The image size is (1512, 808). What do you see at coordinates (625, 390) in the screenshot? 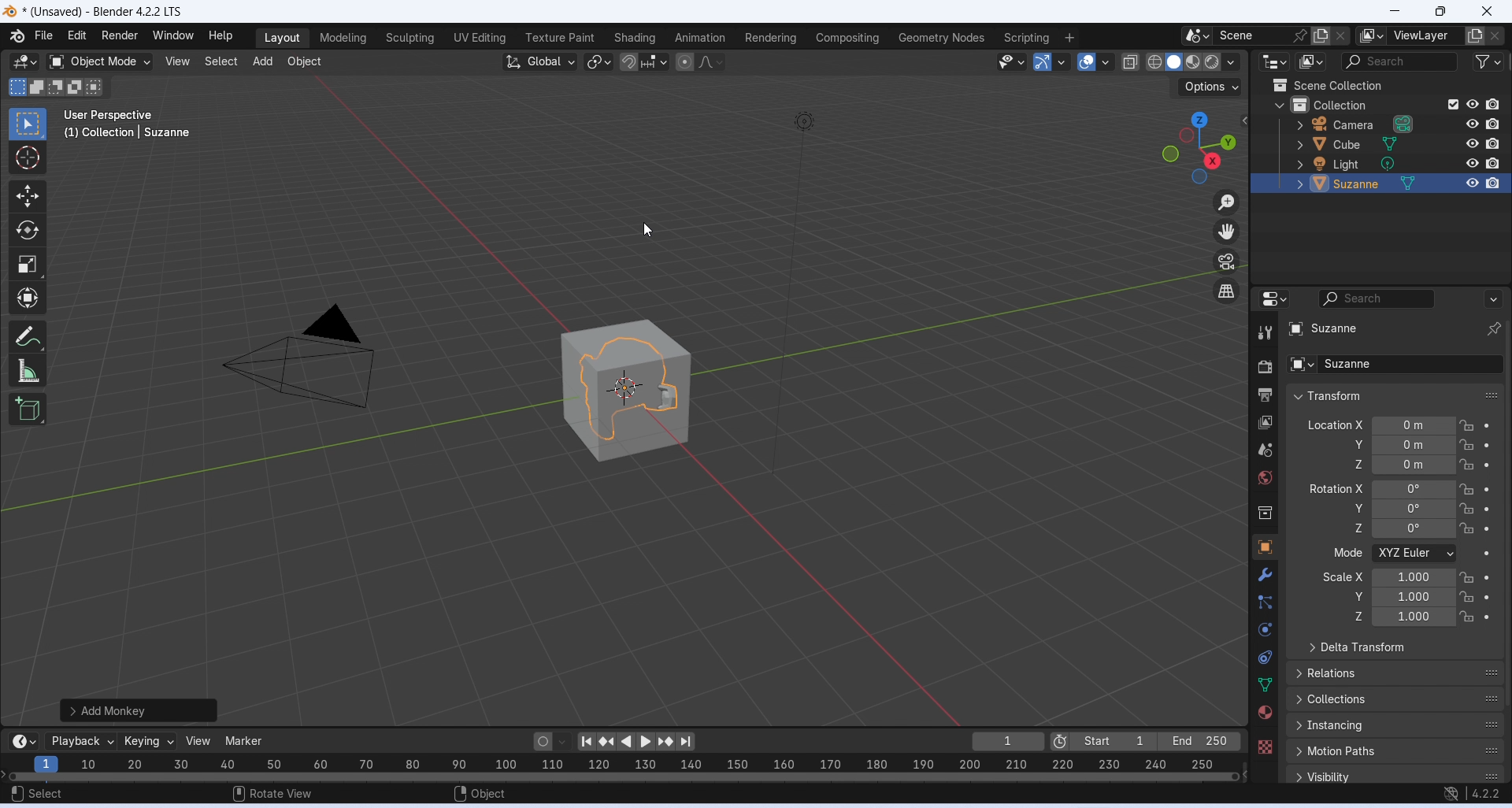
I see `monkey` at bounding box center [625, 390].